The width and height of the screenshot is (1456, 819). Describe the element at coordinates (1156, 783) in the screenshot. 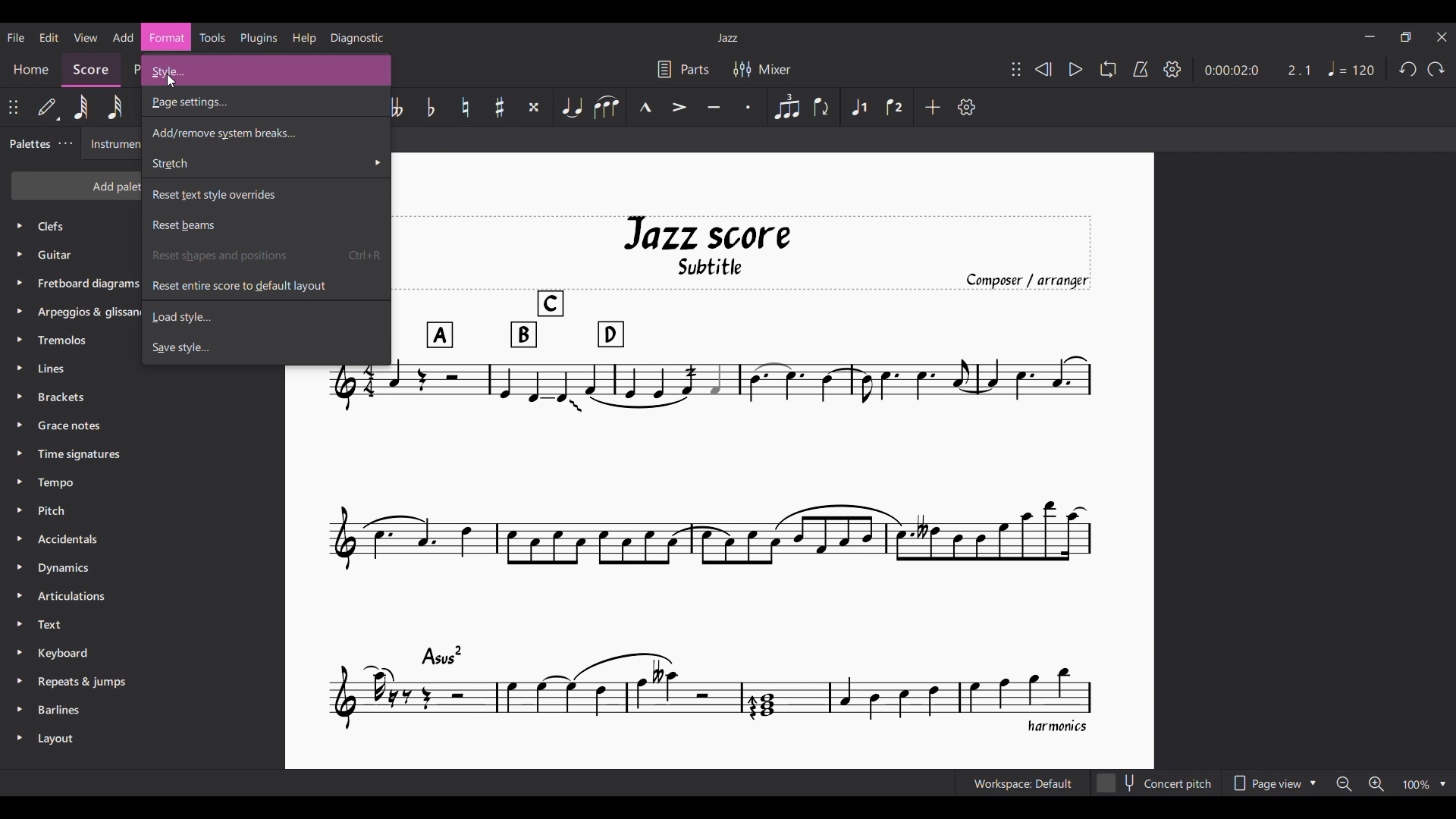

I see `Concert pitch toggle` at that location.